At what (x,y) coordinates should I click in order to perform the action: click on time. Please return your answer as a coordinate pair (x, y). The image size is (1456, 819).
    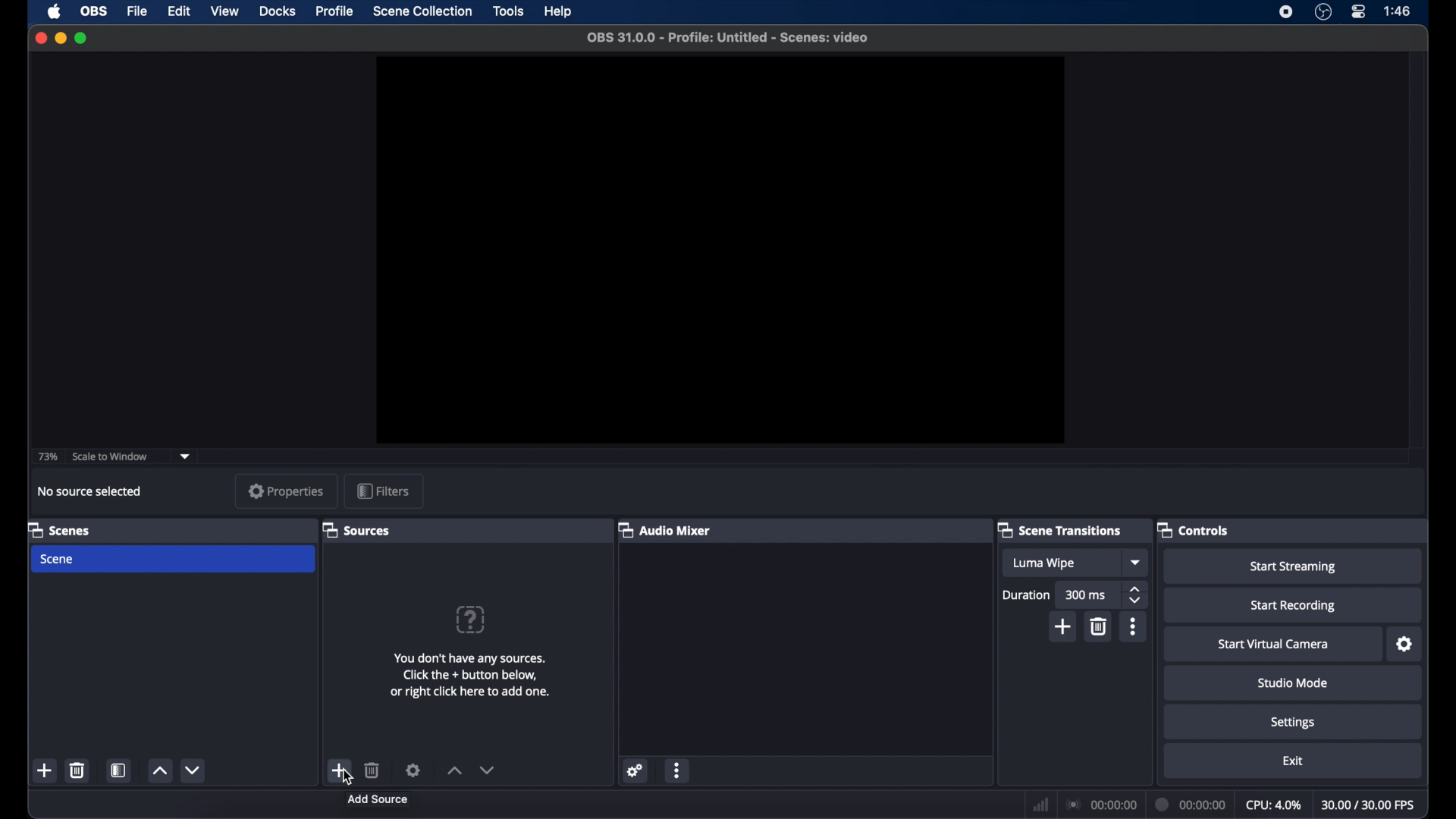
    Looking at the image, I should click on (1398, 10).